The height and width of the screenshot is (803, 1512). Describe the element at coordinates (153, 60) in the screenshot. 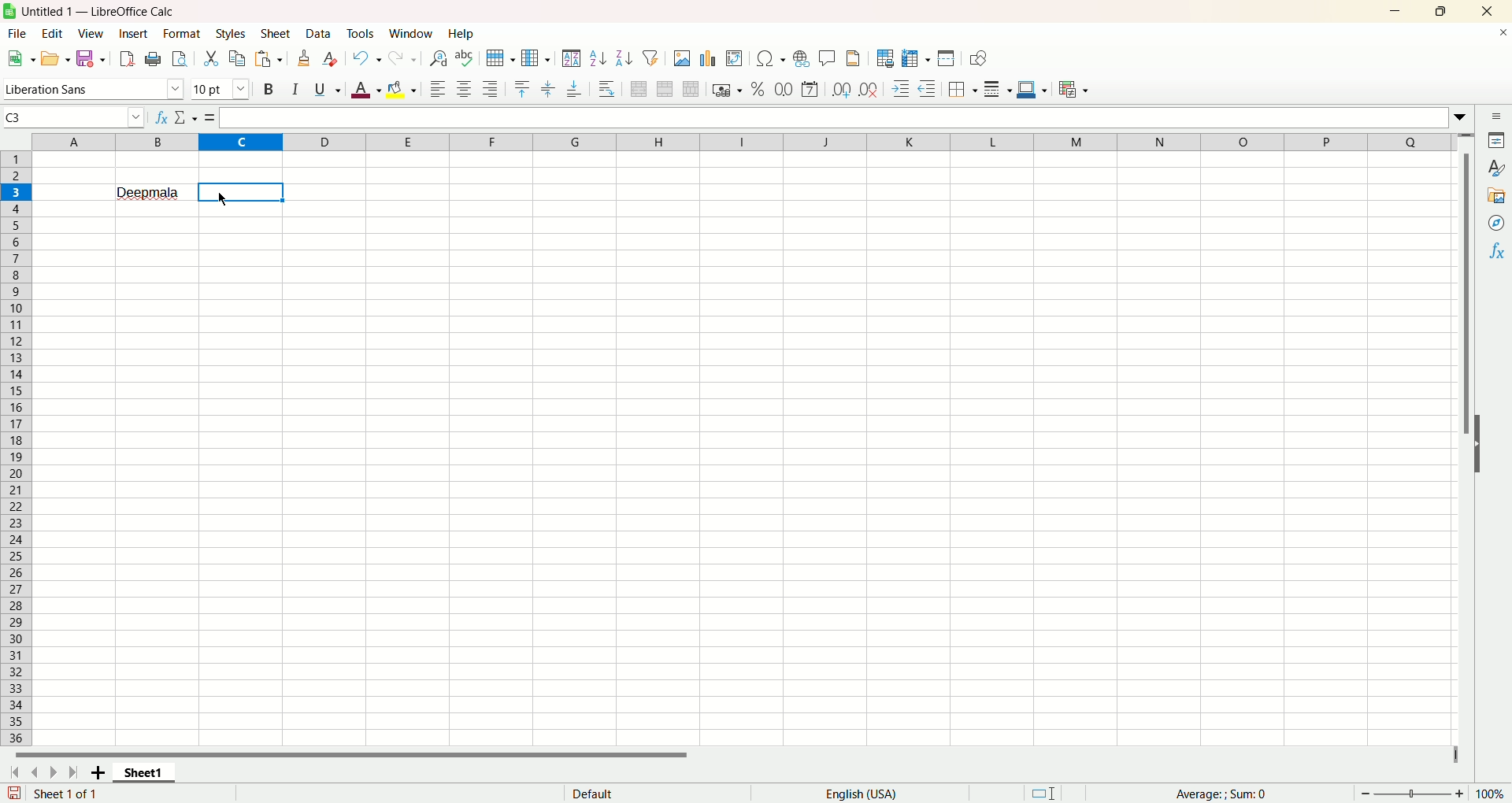

I see `Print` at that location.